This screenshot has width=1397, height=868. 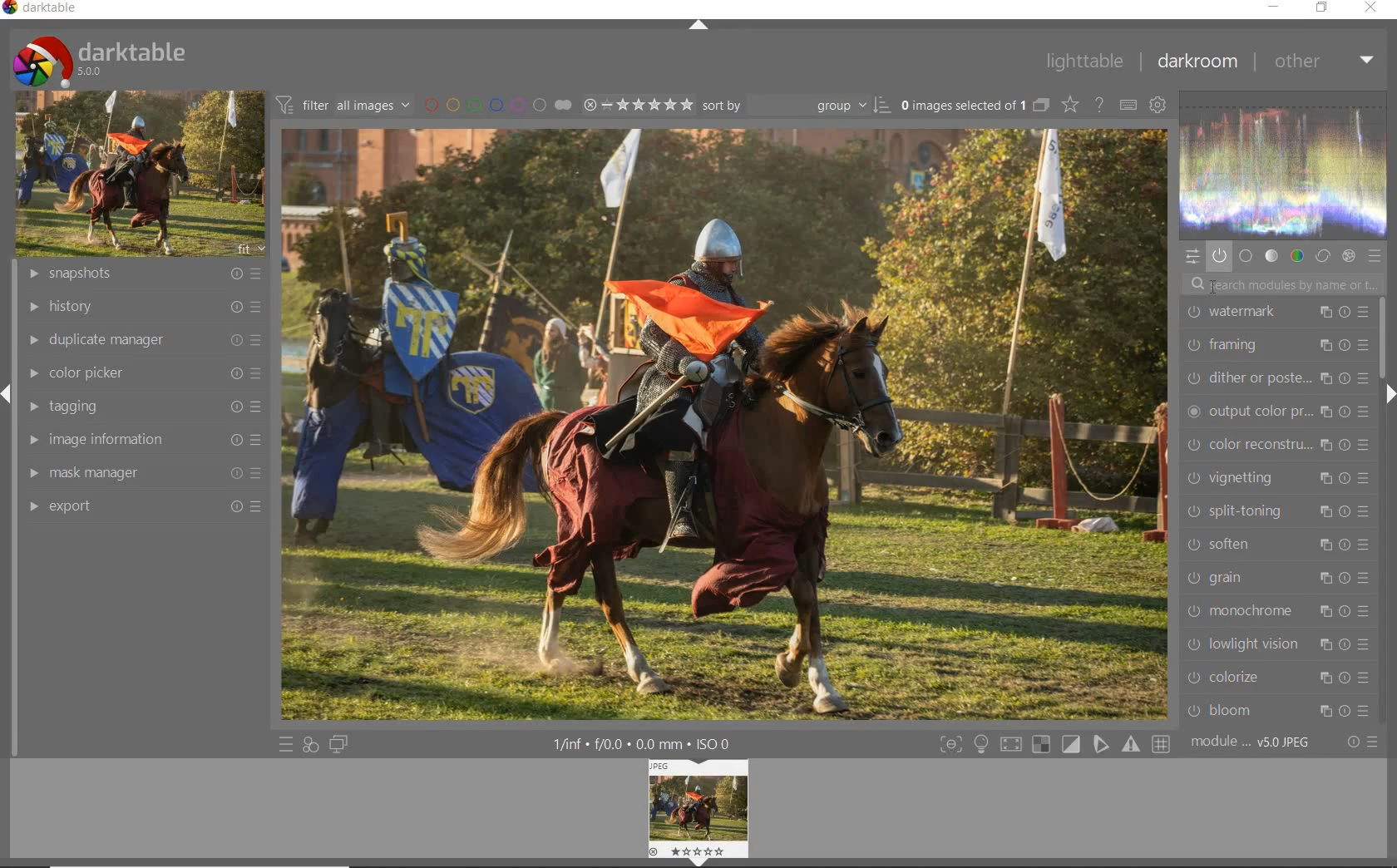 I want to click on vignetting, so click(x=1277, y=480).